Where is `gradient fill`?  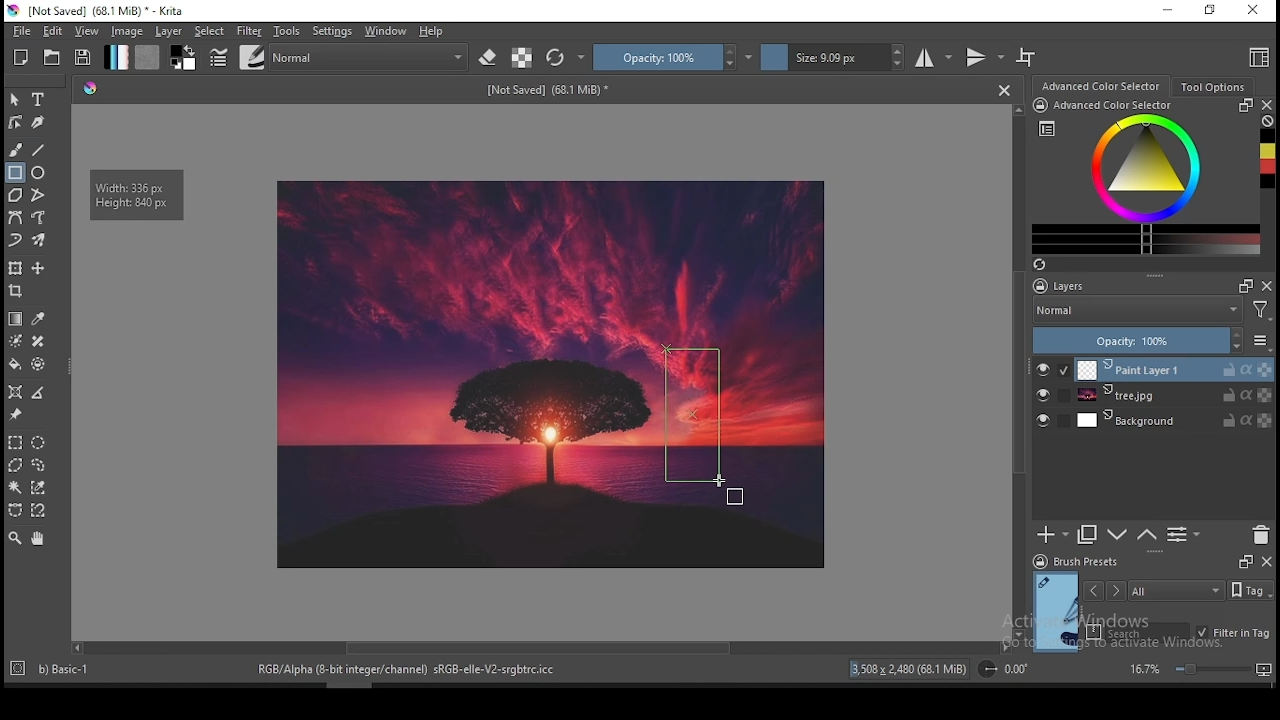 gradient fill is located at coordinates (117, 57).